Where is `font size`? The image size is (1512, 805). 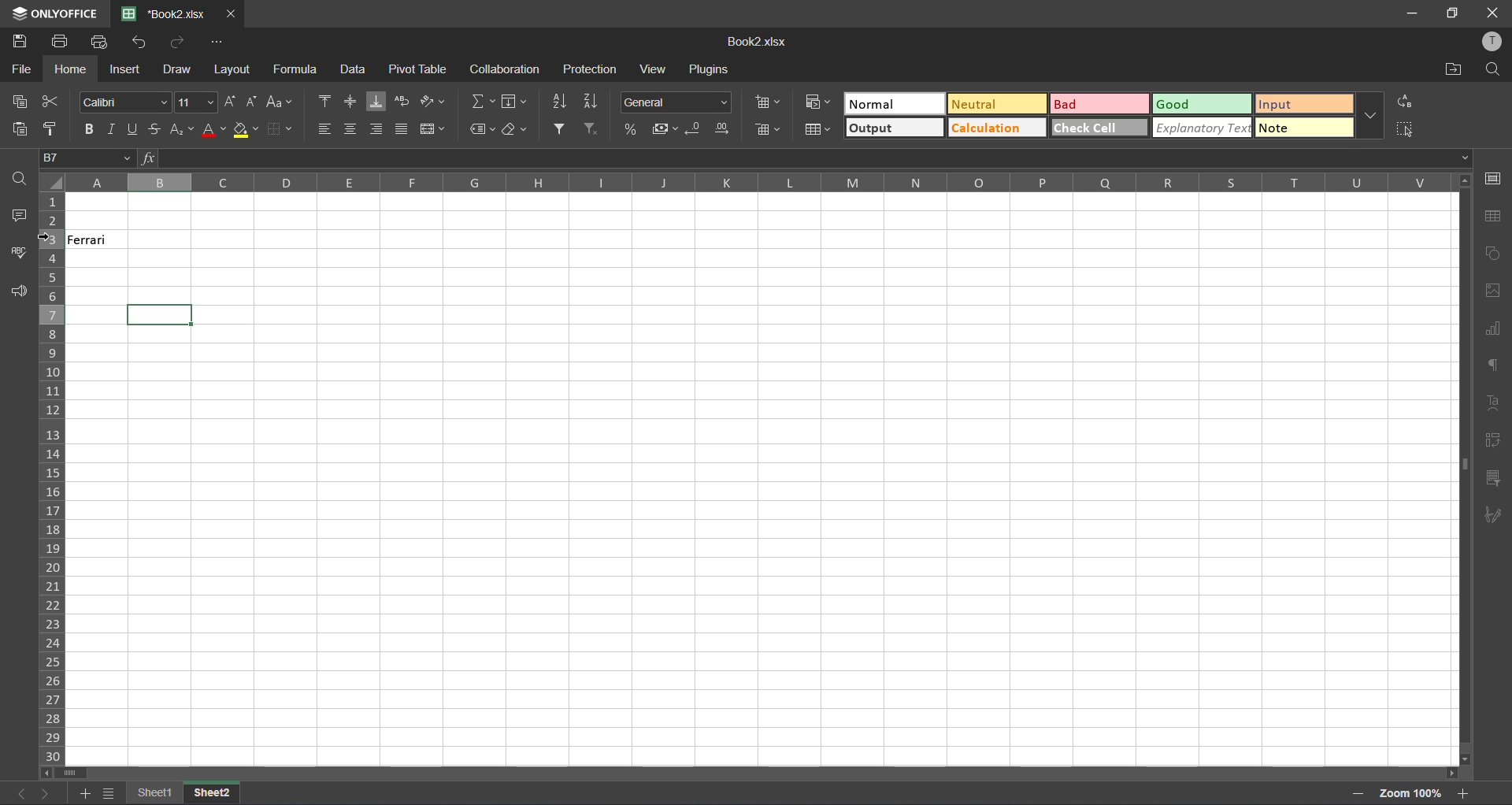
font size is located at coordinates (194, 101).